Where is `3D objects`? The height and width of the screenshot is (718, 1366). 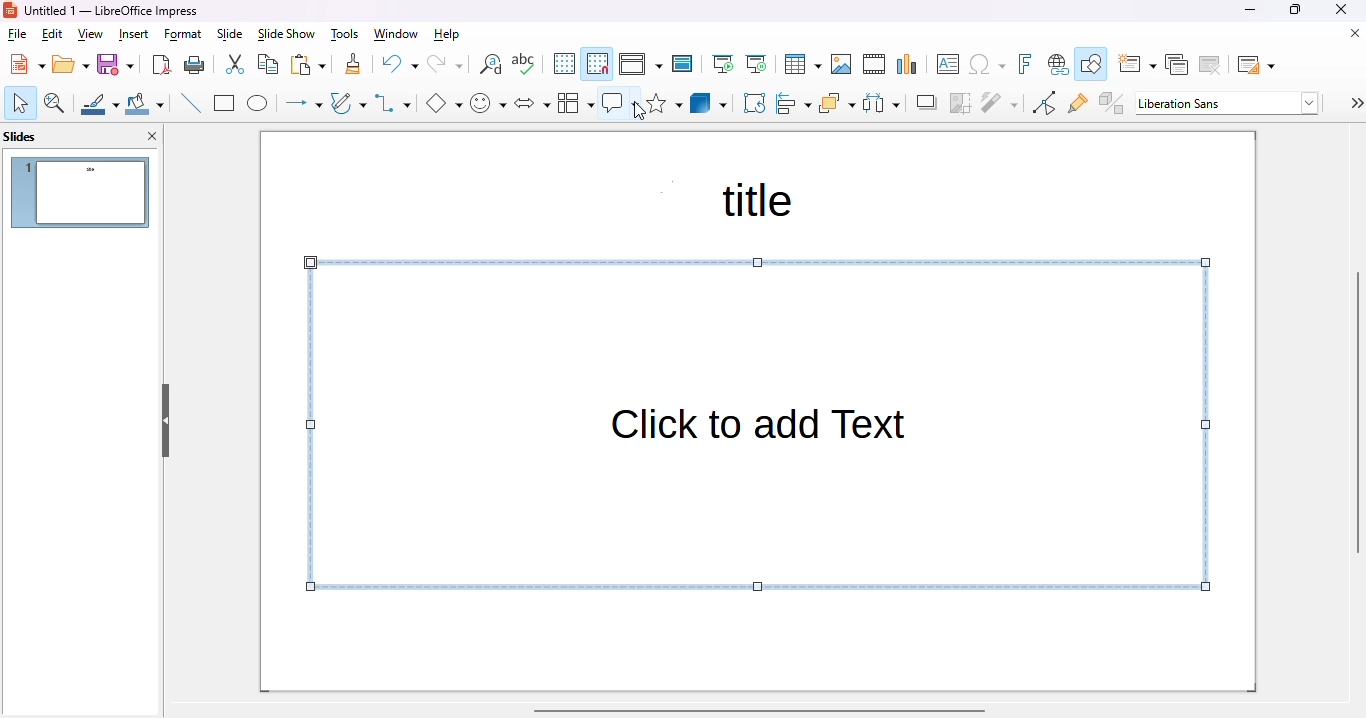 3D objects is located at coordinates (709, 102).